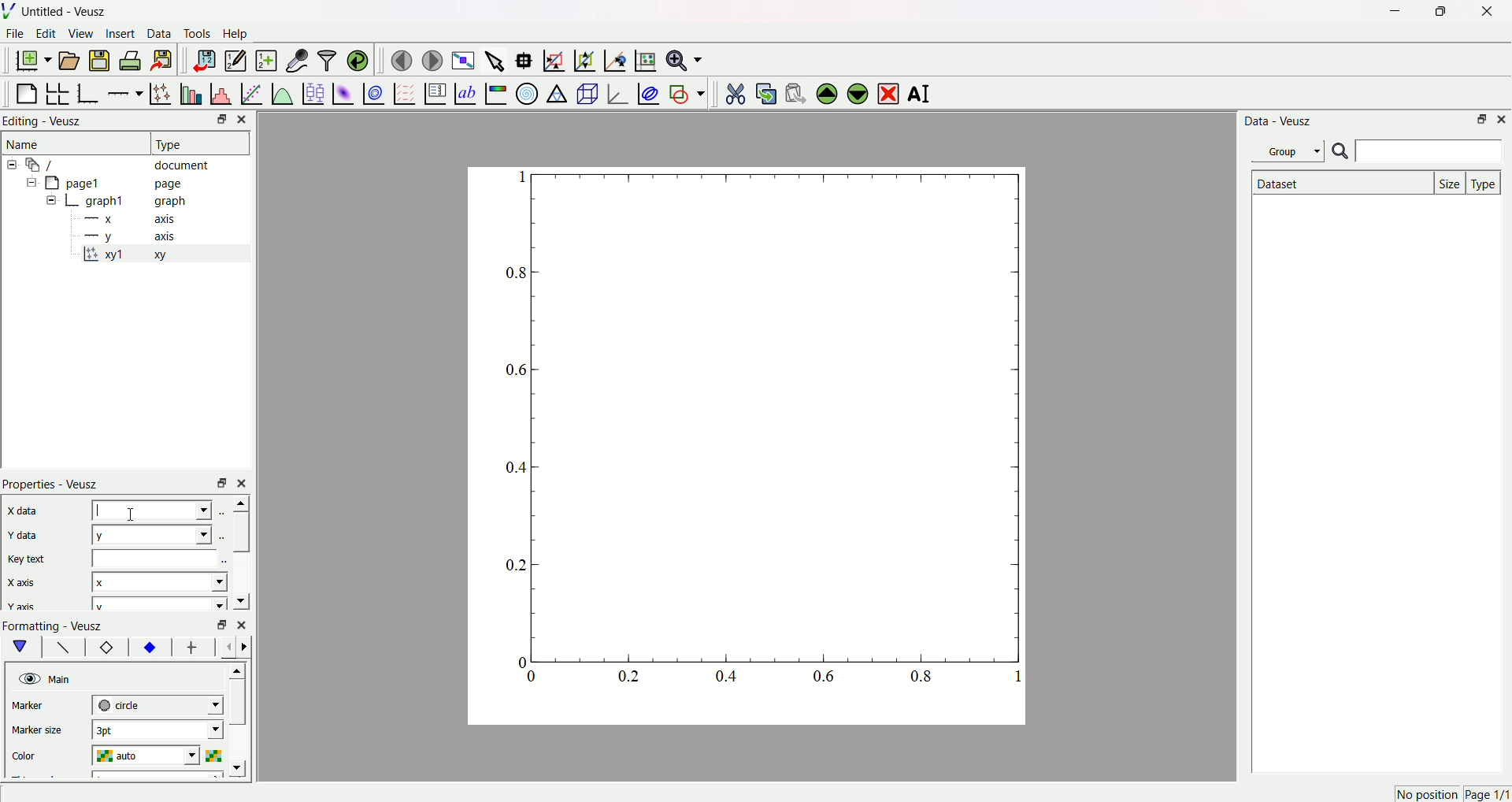 The height and width of the screenshot is (802, 1512). What do you see at coordinates (26, 144) in the screenshot?
I see `Name` at bounding box center [26, 144].